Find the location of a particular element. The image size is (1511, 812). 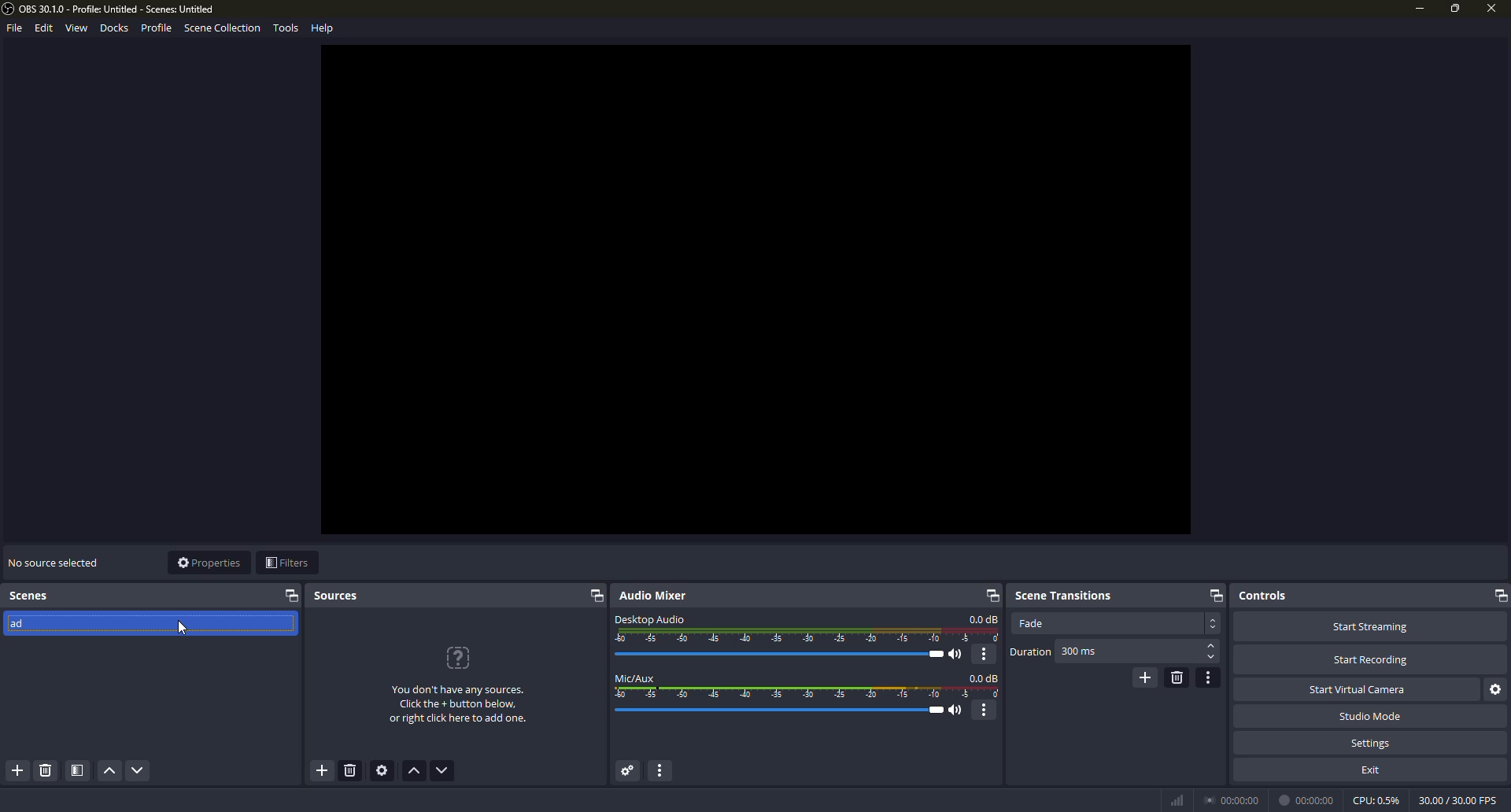

expand is located at coordinates (989, 595).